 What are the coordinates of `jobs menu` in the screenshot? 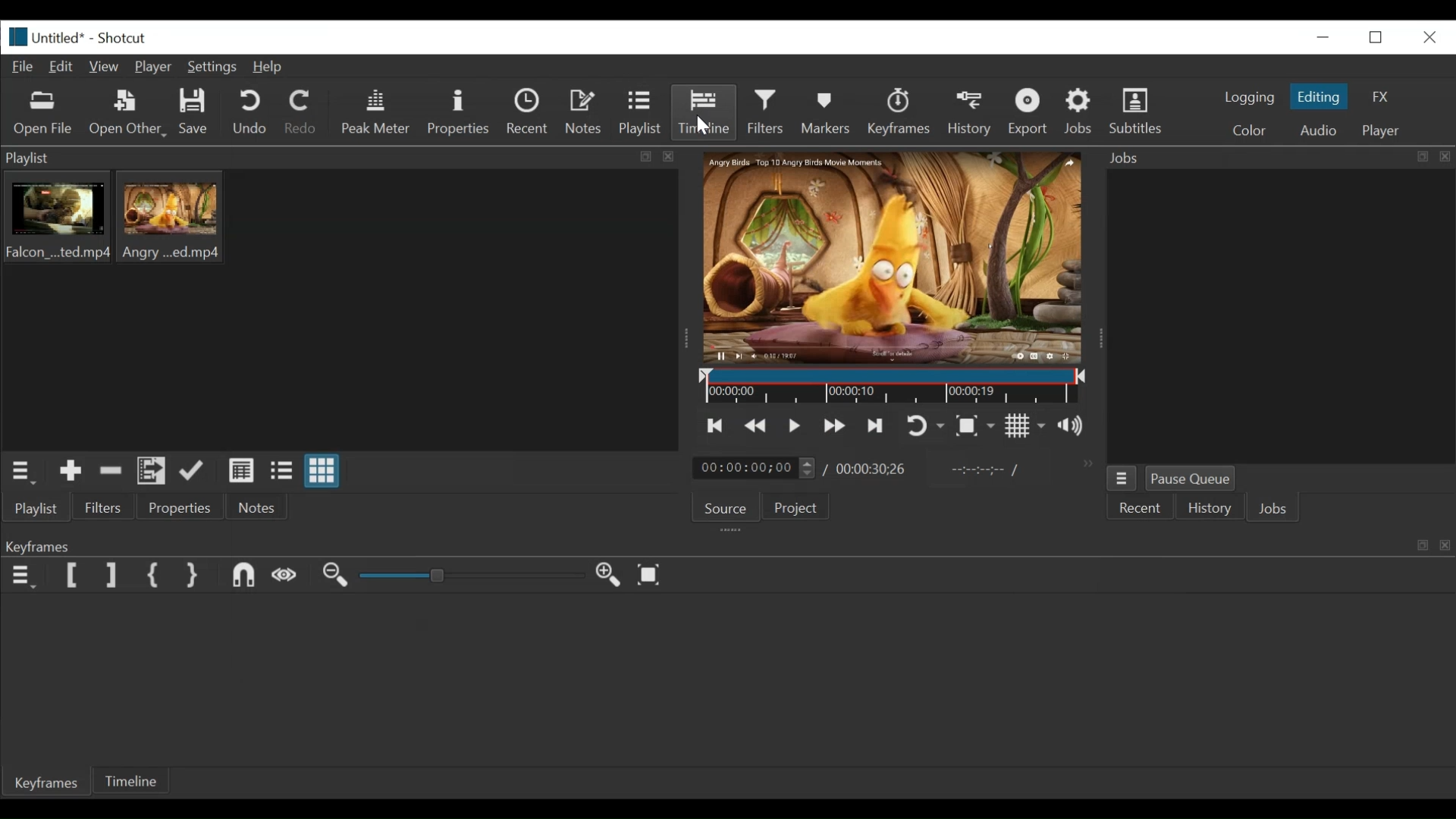 It's located at (1122, 476).